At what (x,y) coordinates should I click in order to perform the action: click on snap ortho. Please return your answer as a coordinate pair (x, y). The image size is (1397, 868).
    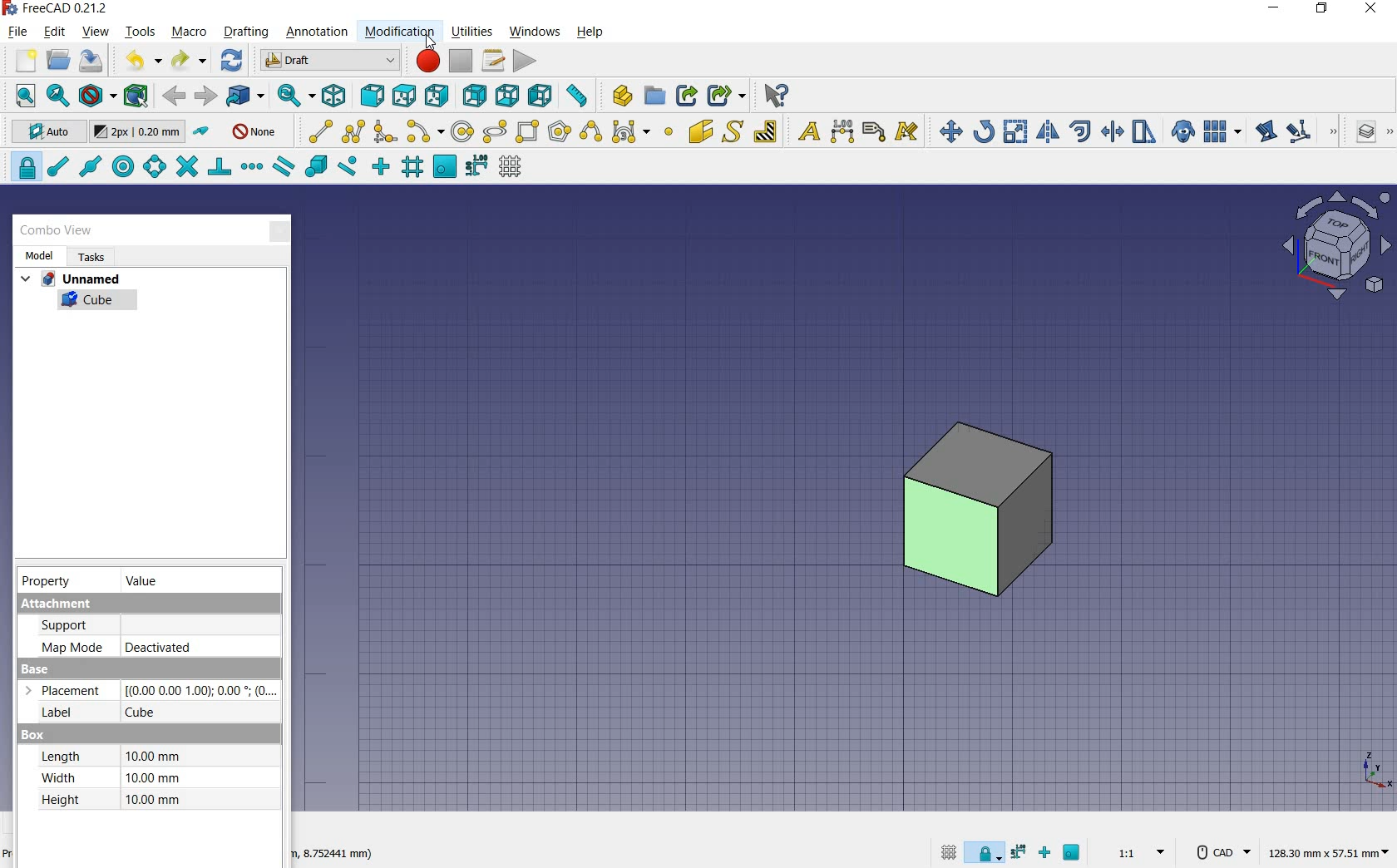
    Looking at the image, I should click on (1045, 854).